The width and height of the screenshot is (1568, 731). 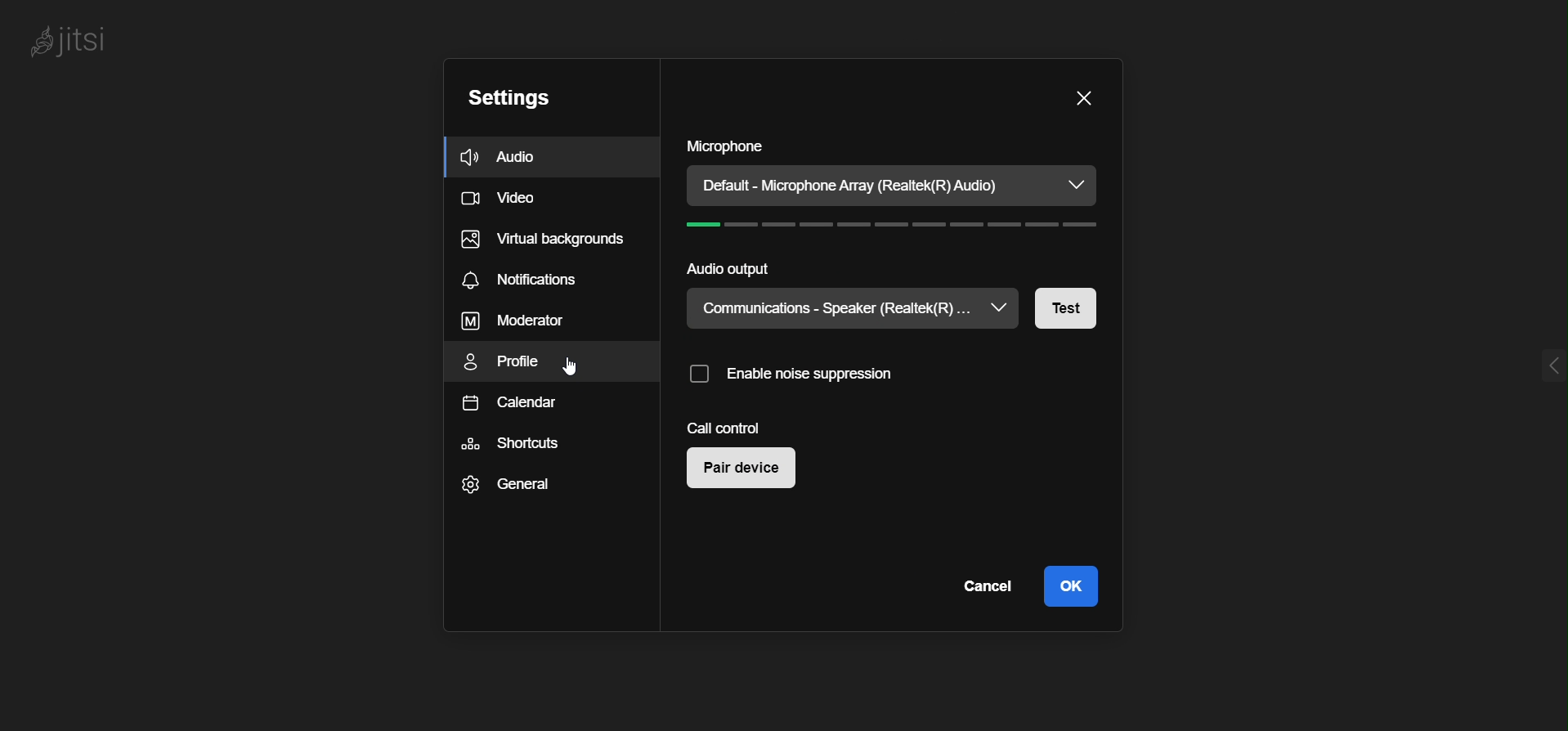 I want to click on settings, so click(x=520, y=98).